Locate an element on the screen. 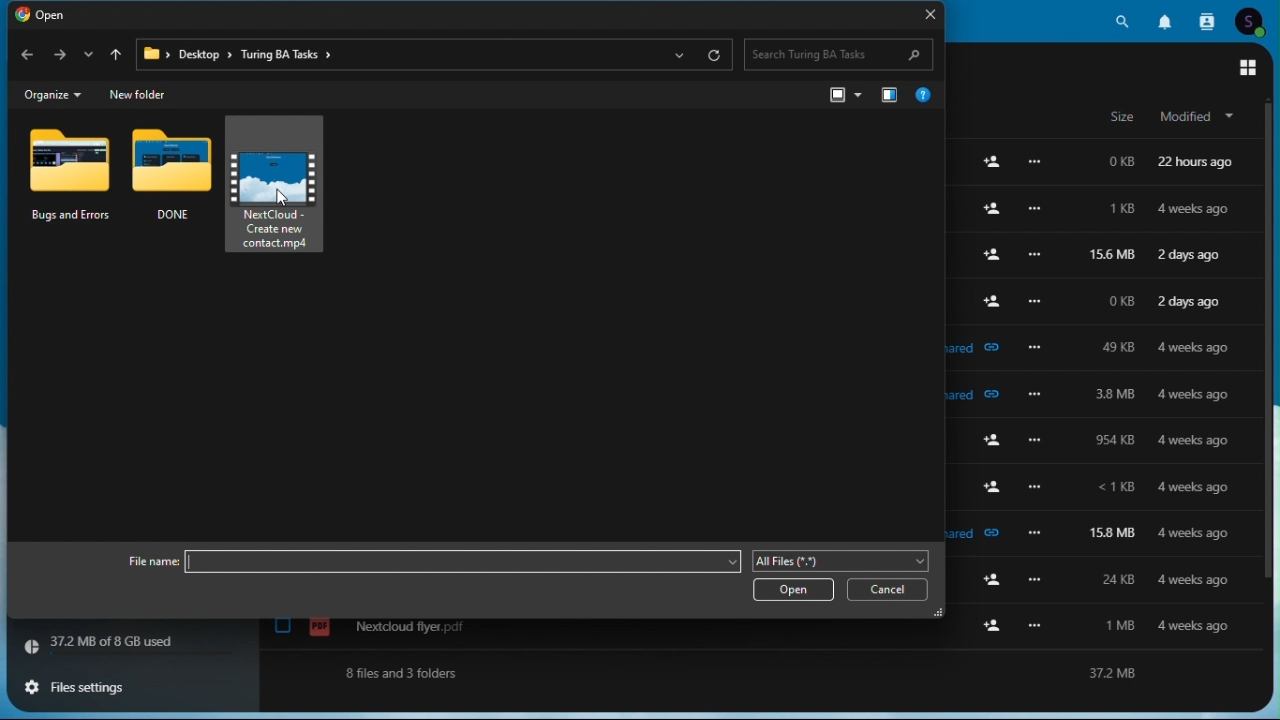  up is located at coordinates (114, 50).